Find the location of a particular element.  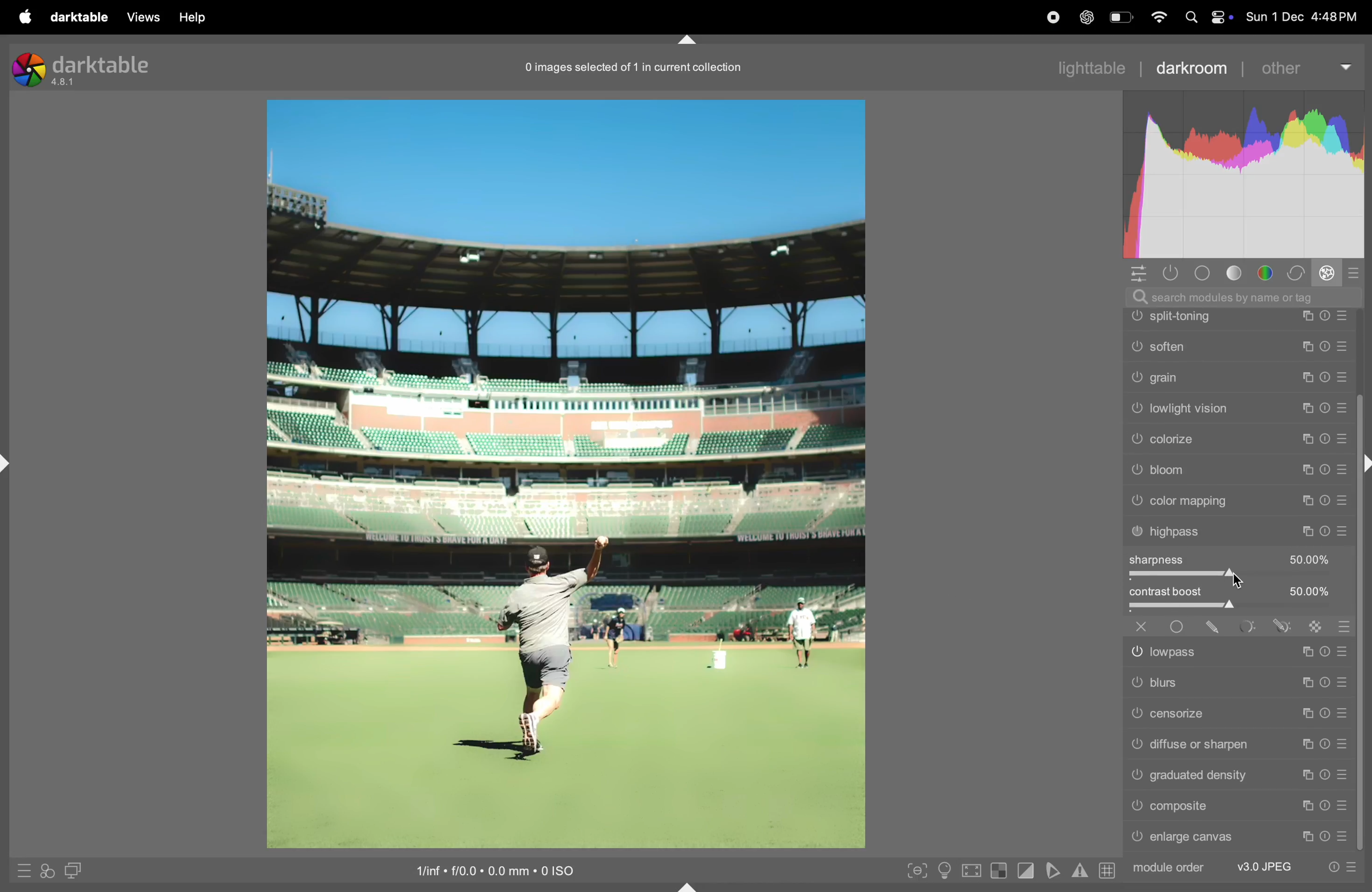

colorize is located at coordinates (1241, 530).